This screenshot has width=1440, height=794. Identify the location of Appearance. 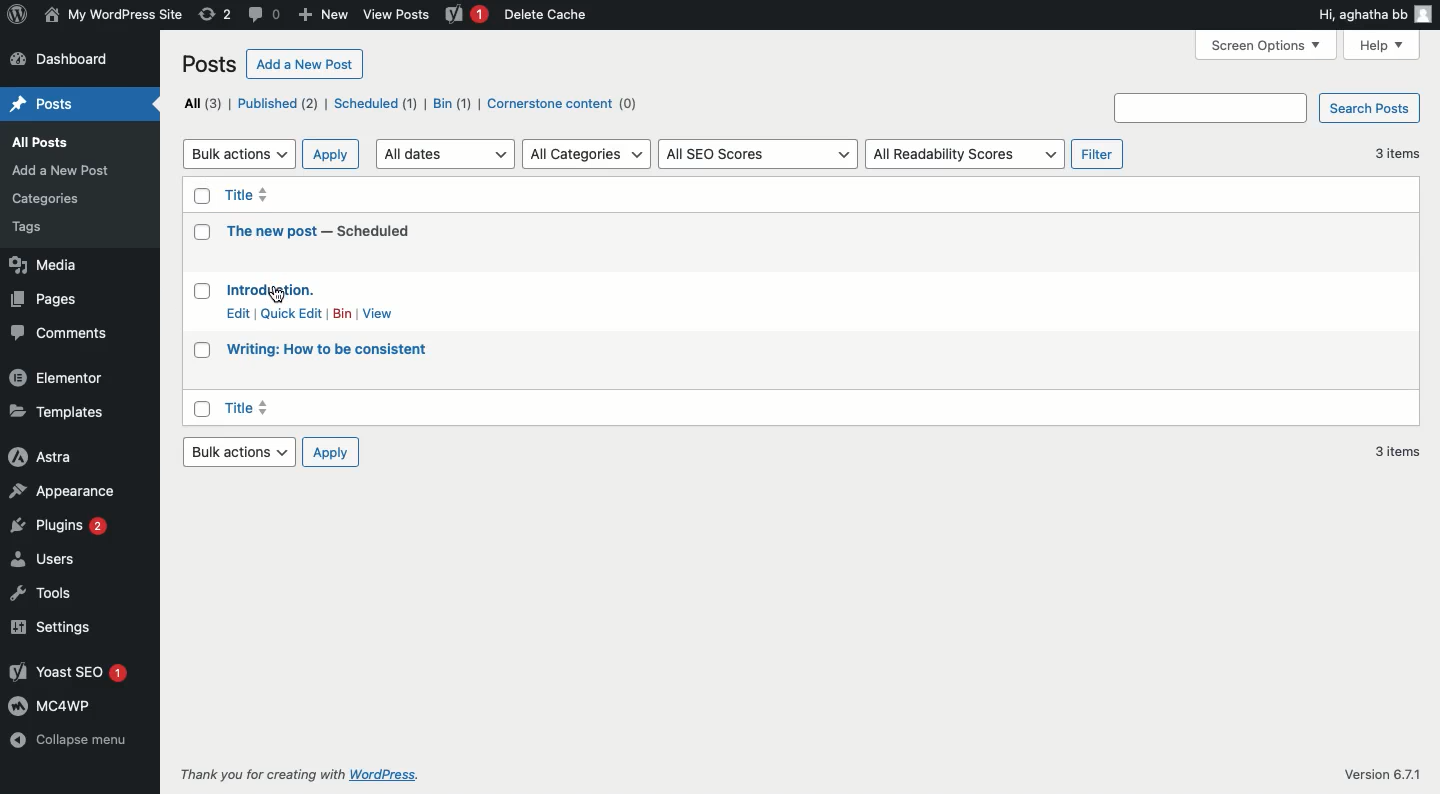
(66, 491).